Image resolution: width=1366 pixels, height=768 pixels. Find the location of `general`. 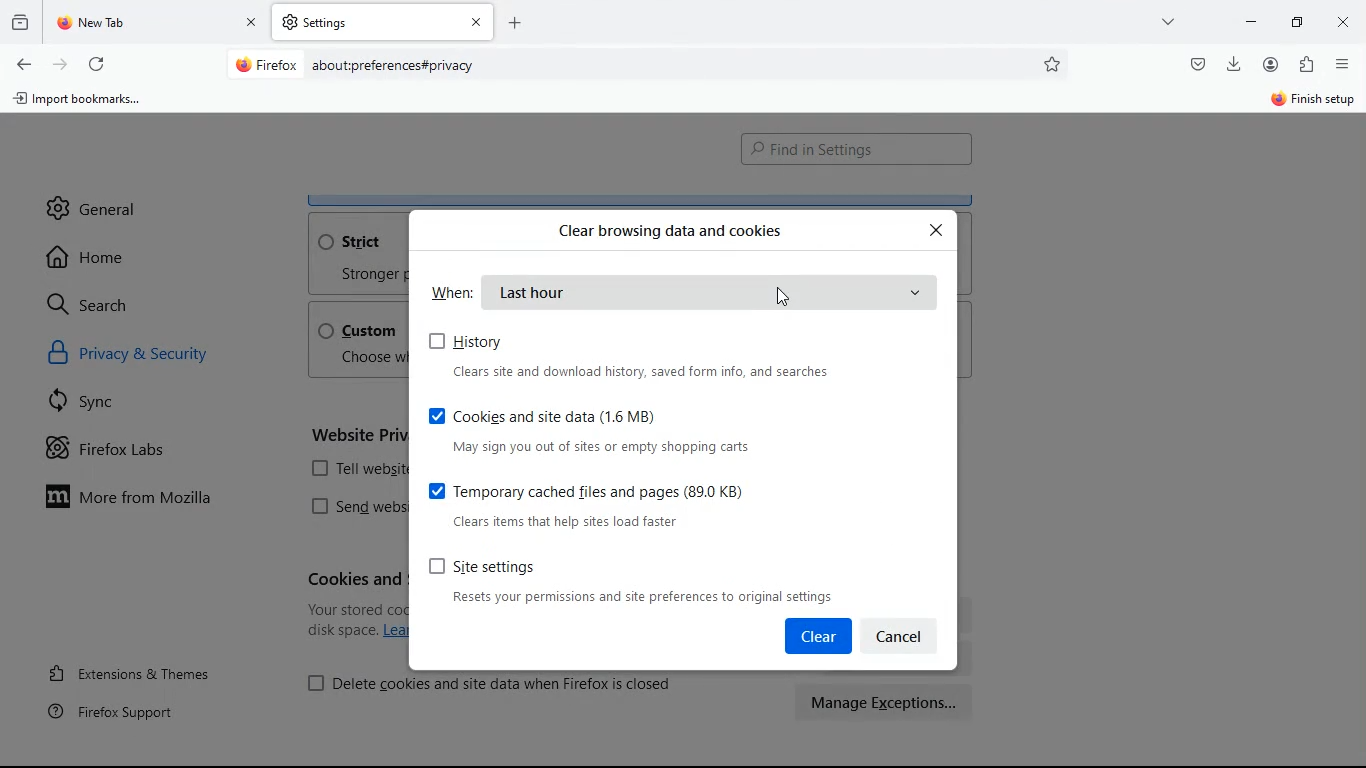

general is located at coordinates (93, 201).